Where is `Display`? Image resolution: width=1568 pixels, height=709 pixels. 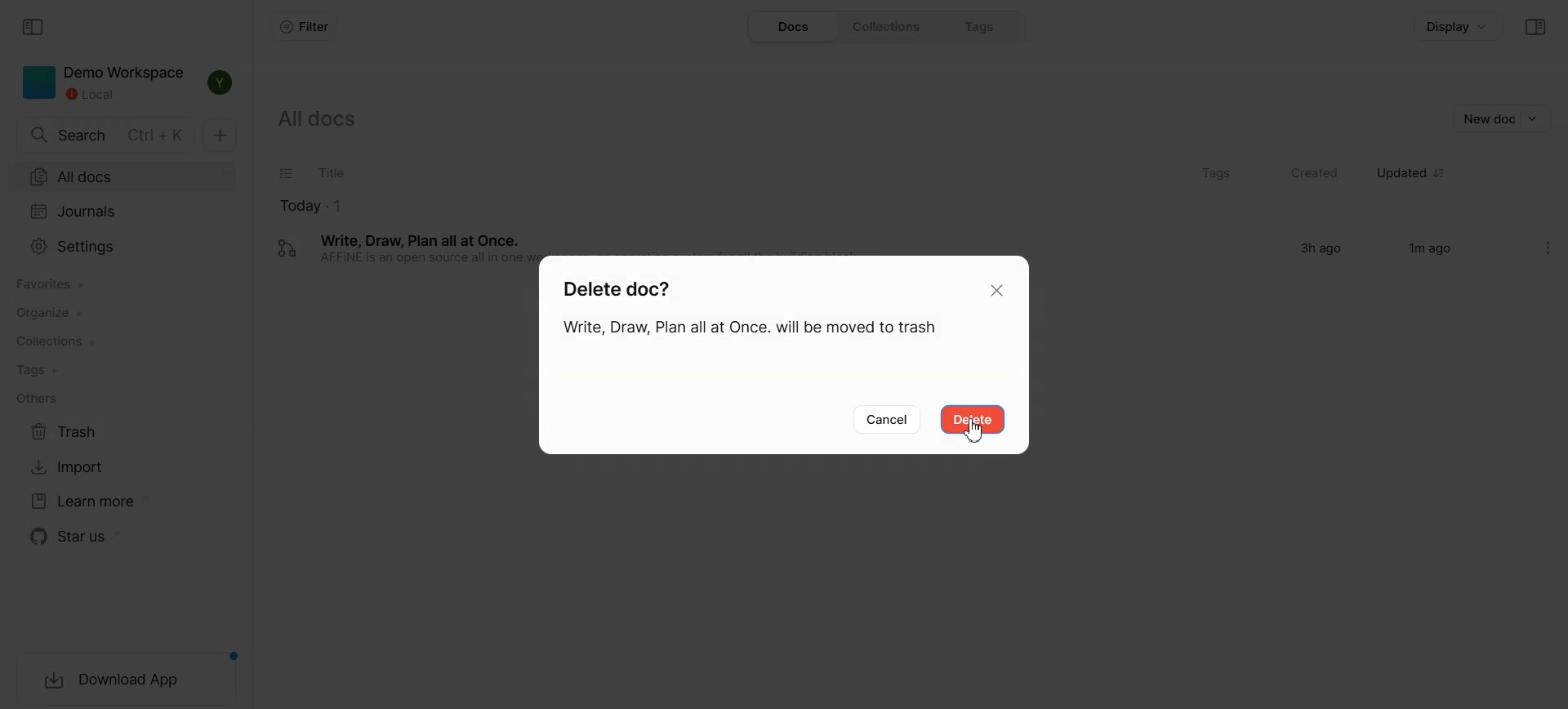 Display is located at coordinates (1459, 26).